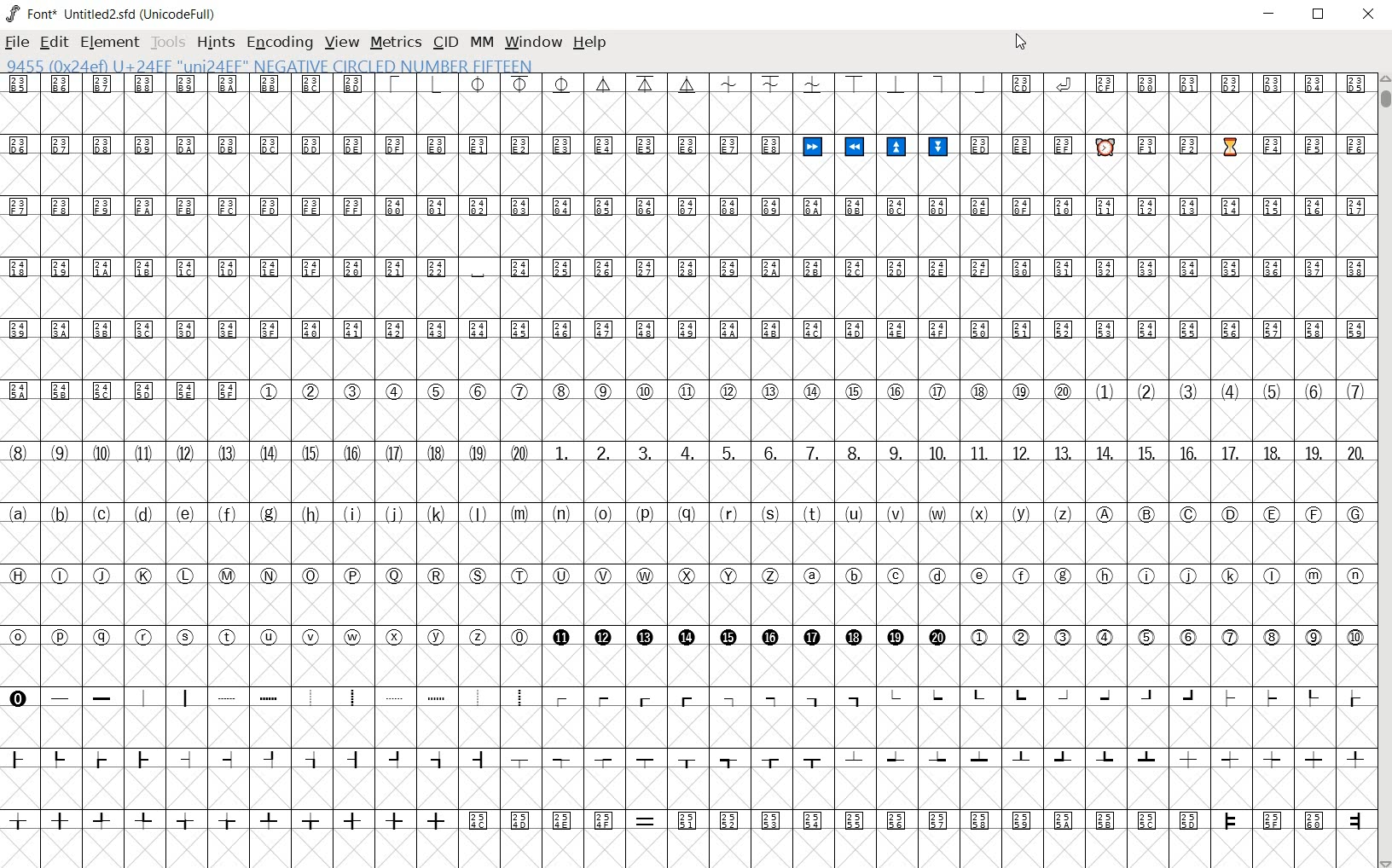  I want to click on CLOSE, so click(1371, 14).